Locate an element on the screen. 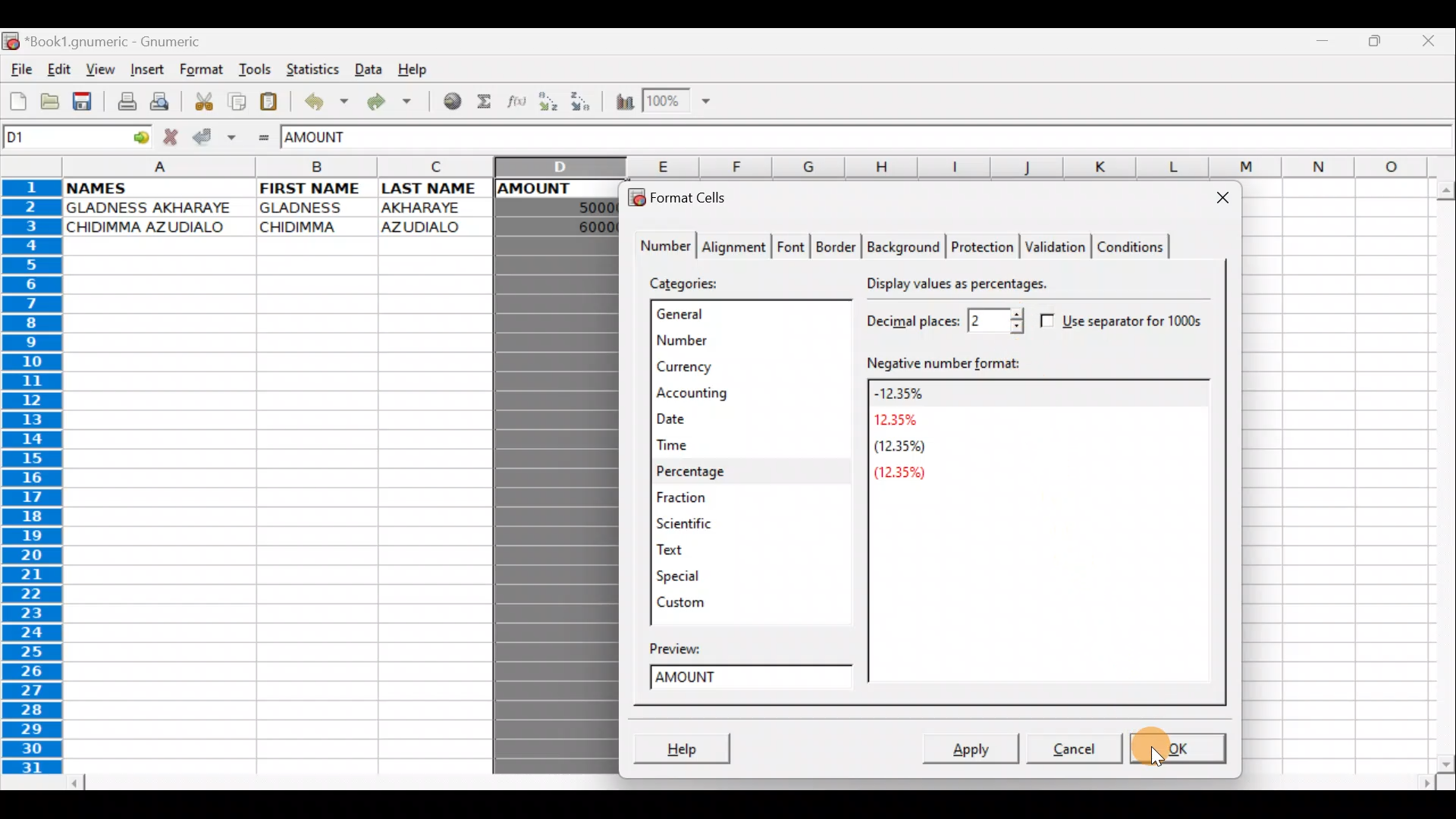 The width and height of the screenshot is (1456, 819). Custom is located at coordinates (686, 599).